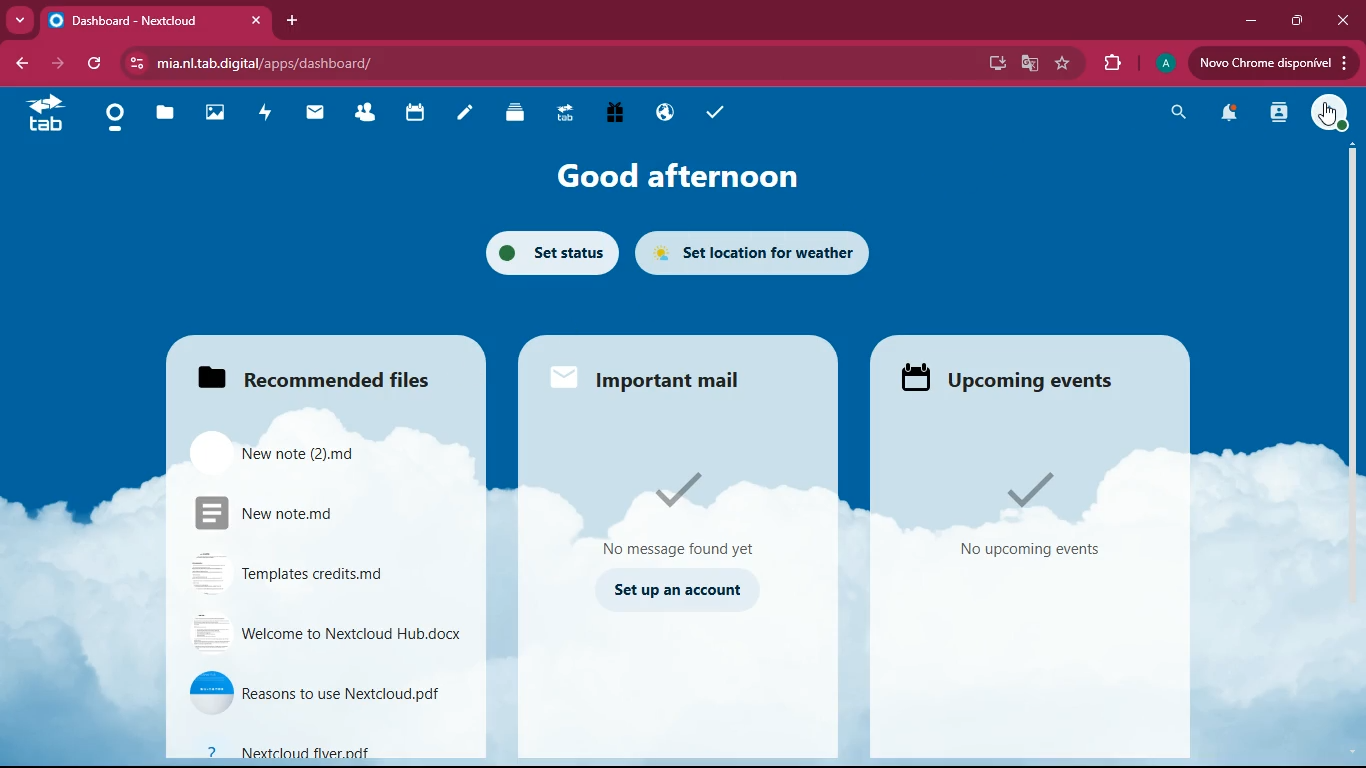 The width and height of the screenshot is (1366, 768). What do you see at coordinates (365, 114) in the screenshot?
I see `friends` at bounding box center [365, 114].